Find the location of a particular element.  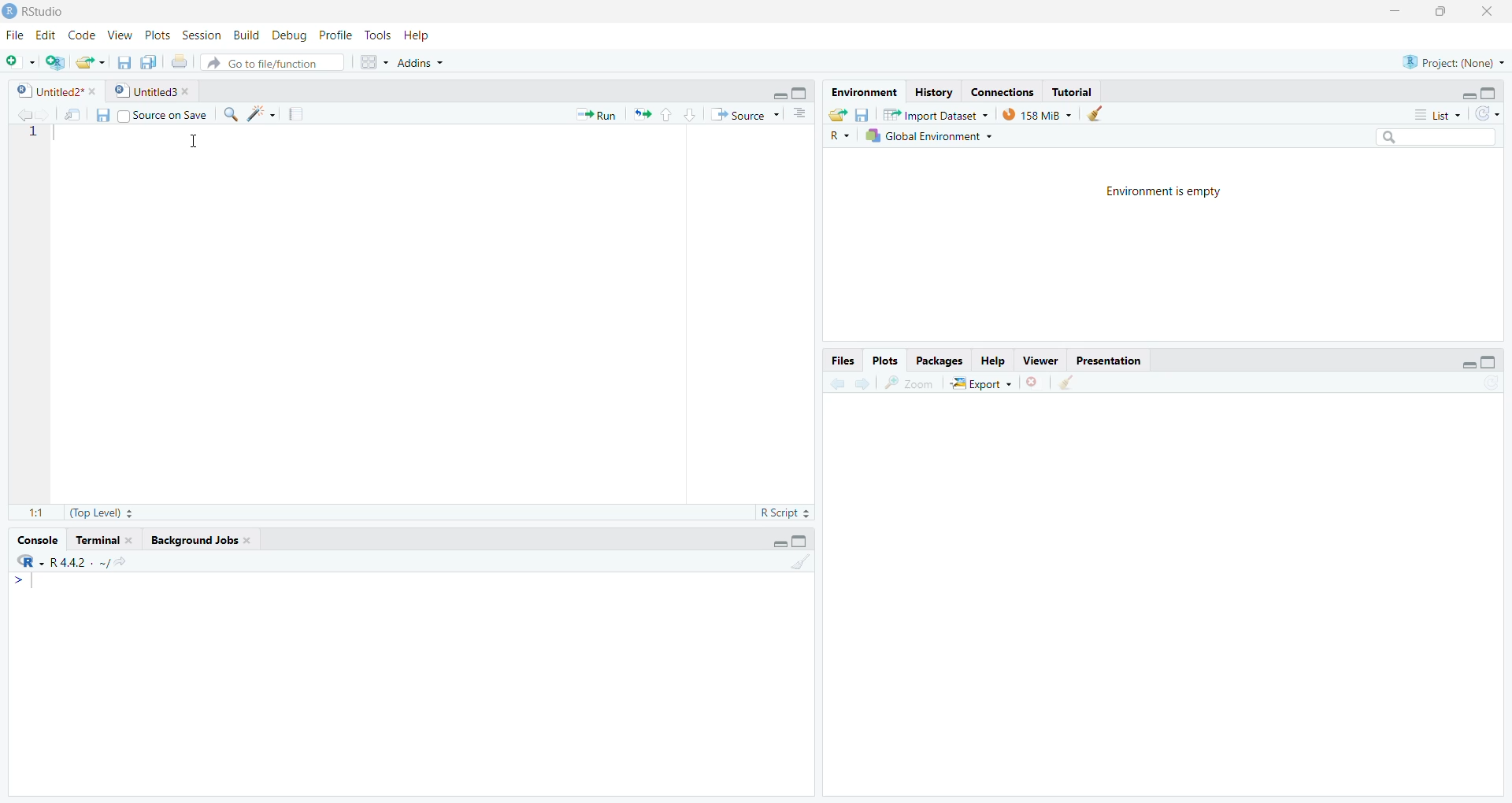

Tools is located at coordinates (379, 33).